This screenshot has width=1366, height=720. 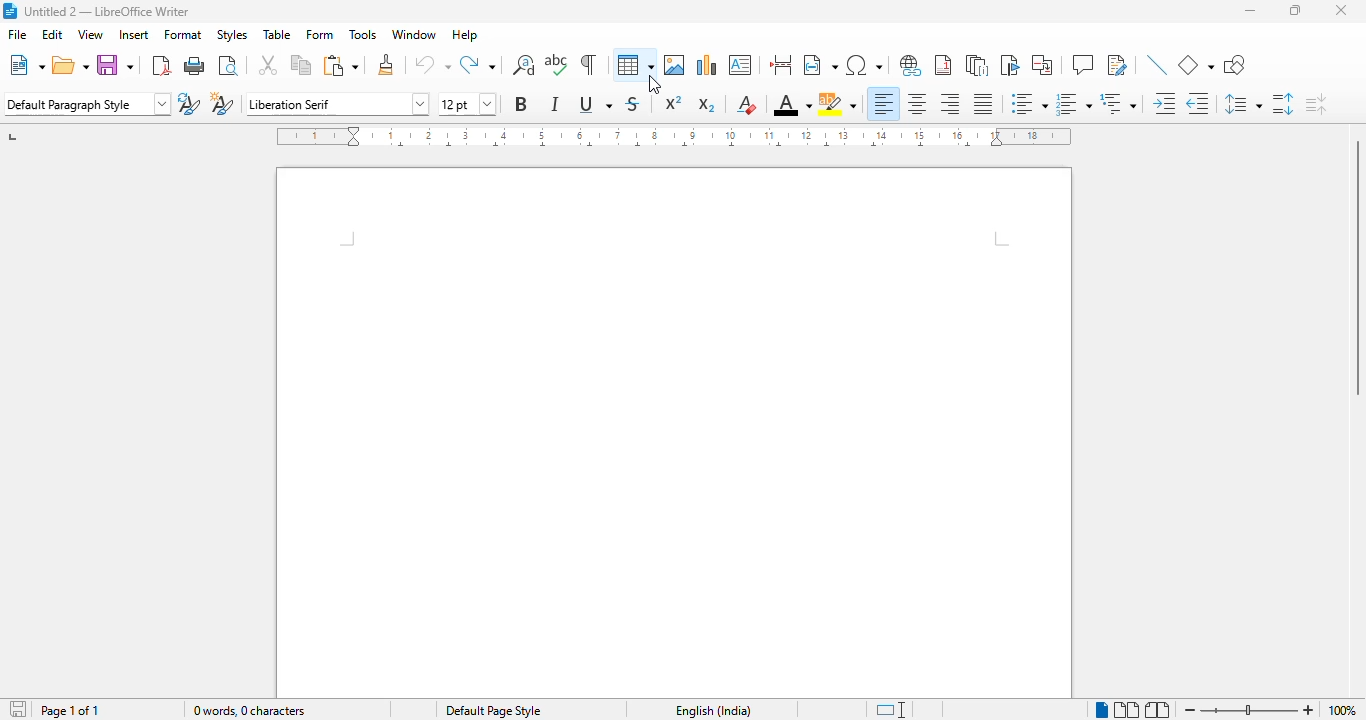 I want to click on subscript, so click(x=707, y=105).